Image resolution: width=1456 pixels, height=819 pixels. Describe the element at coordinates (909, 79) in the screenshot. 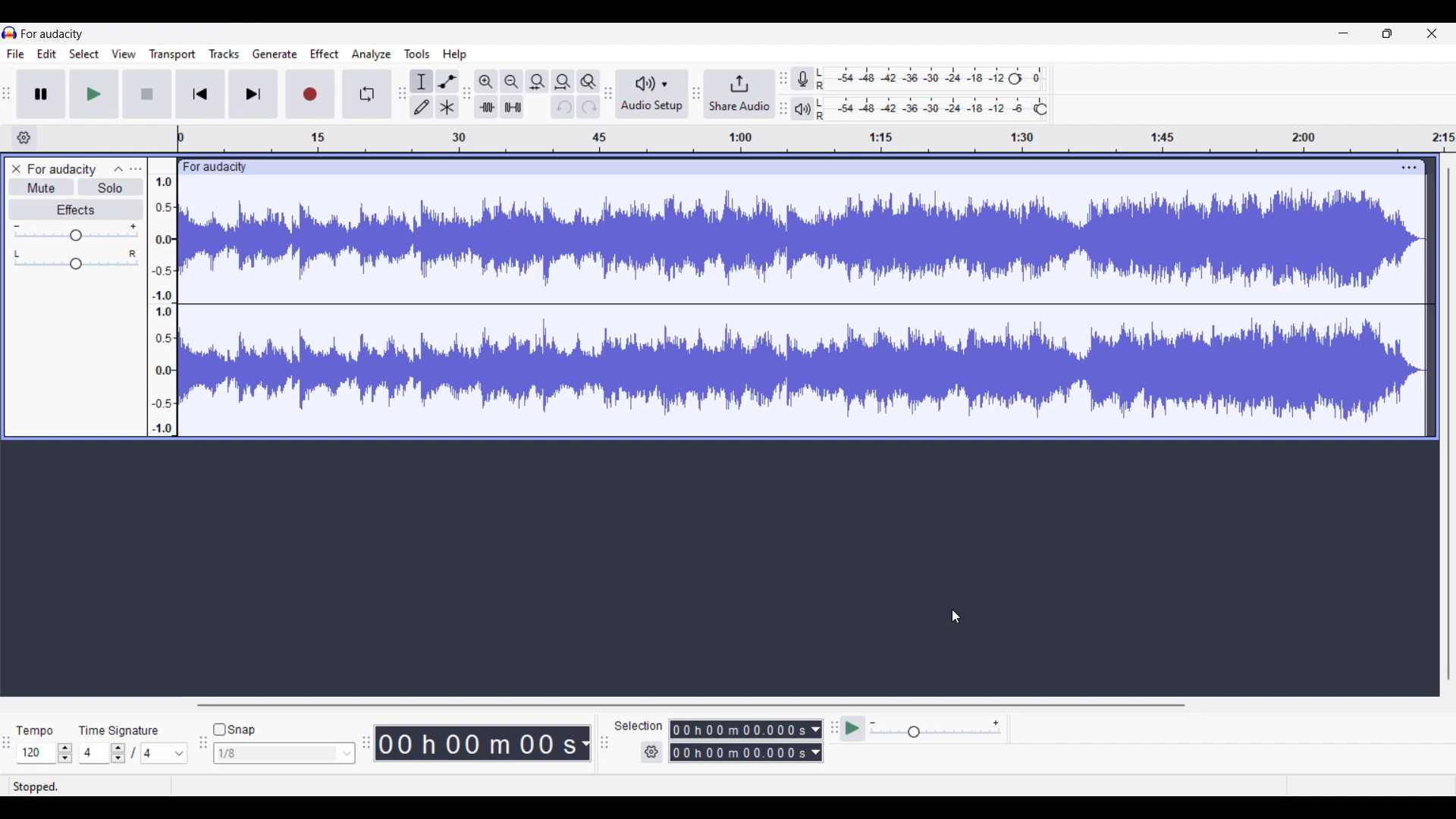

I see `Recording level` at that location.